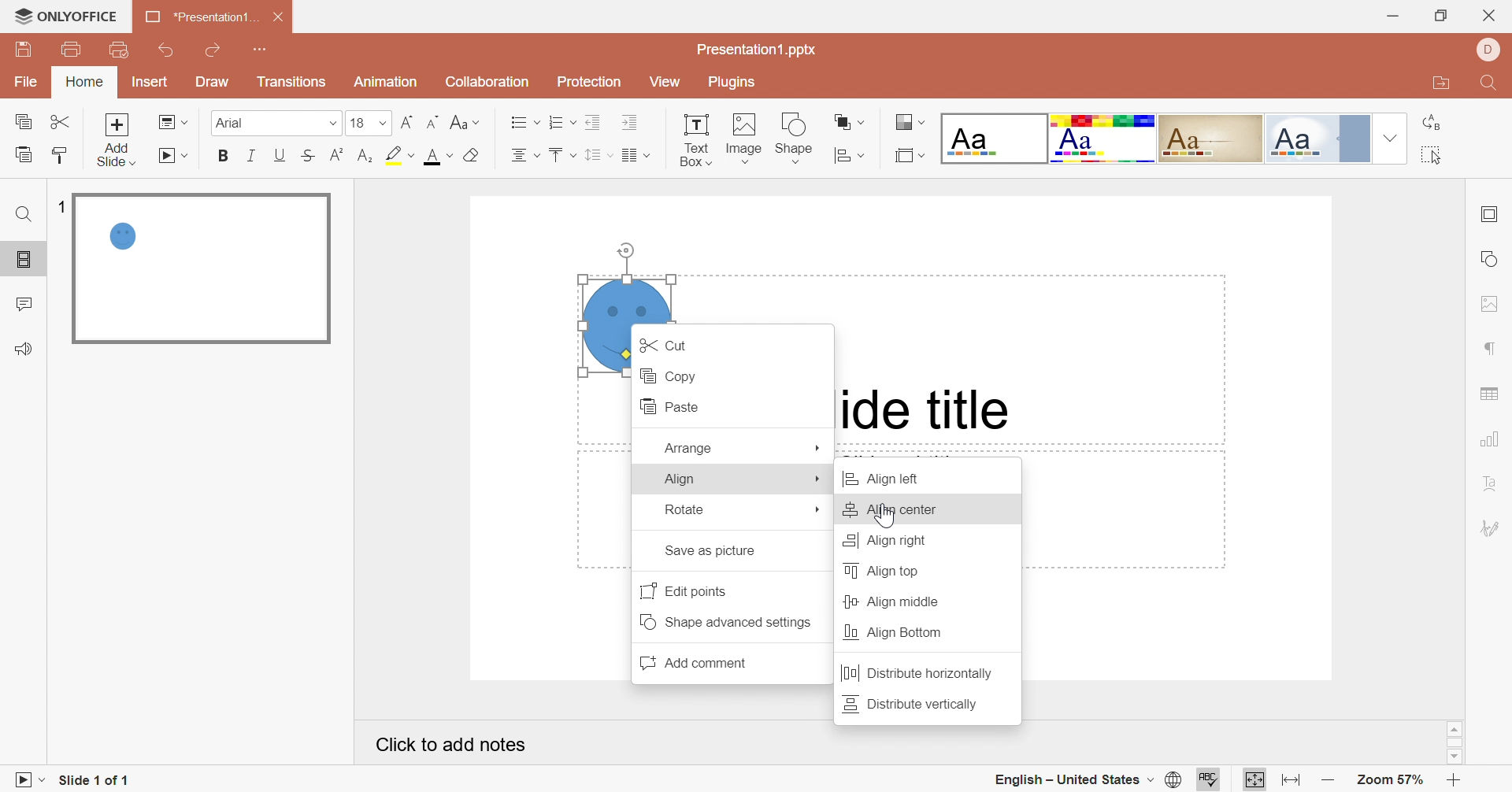 The image size is (1512, 792). I want to click on Arial, so click(256, 126).